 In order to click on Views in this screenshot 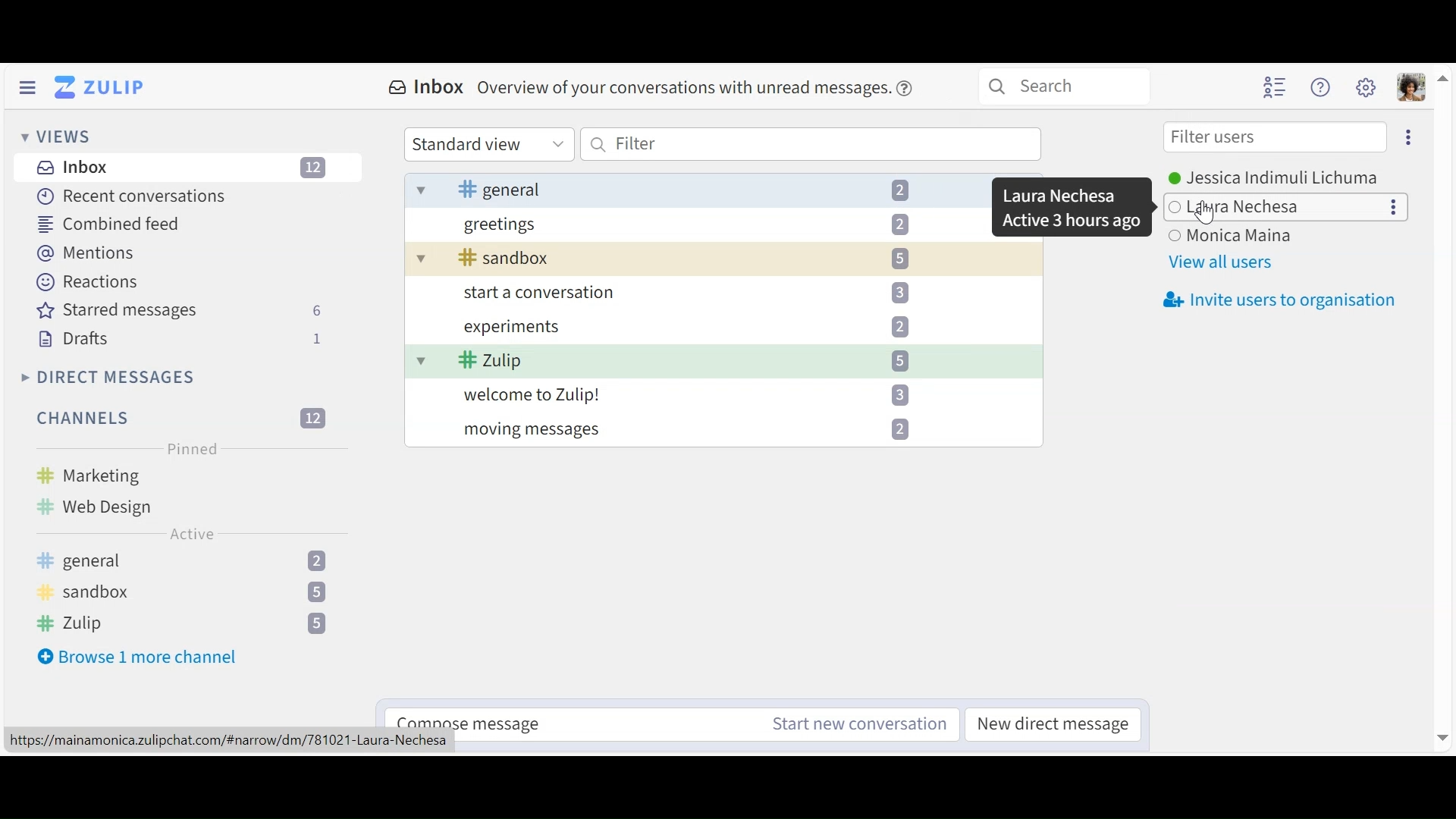, I will do `click(58, 138)`.